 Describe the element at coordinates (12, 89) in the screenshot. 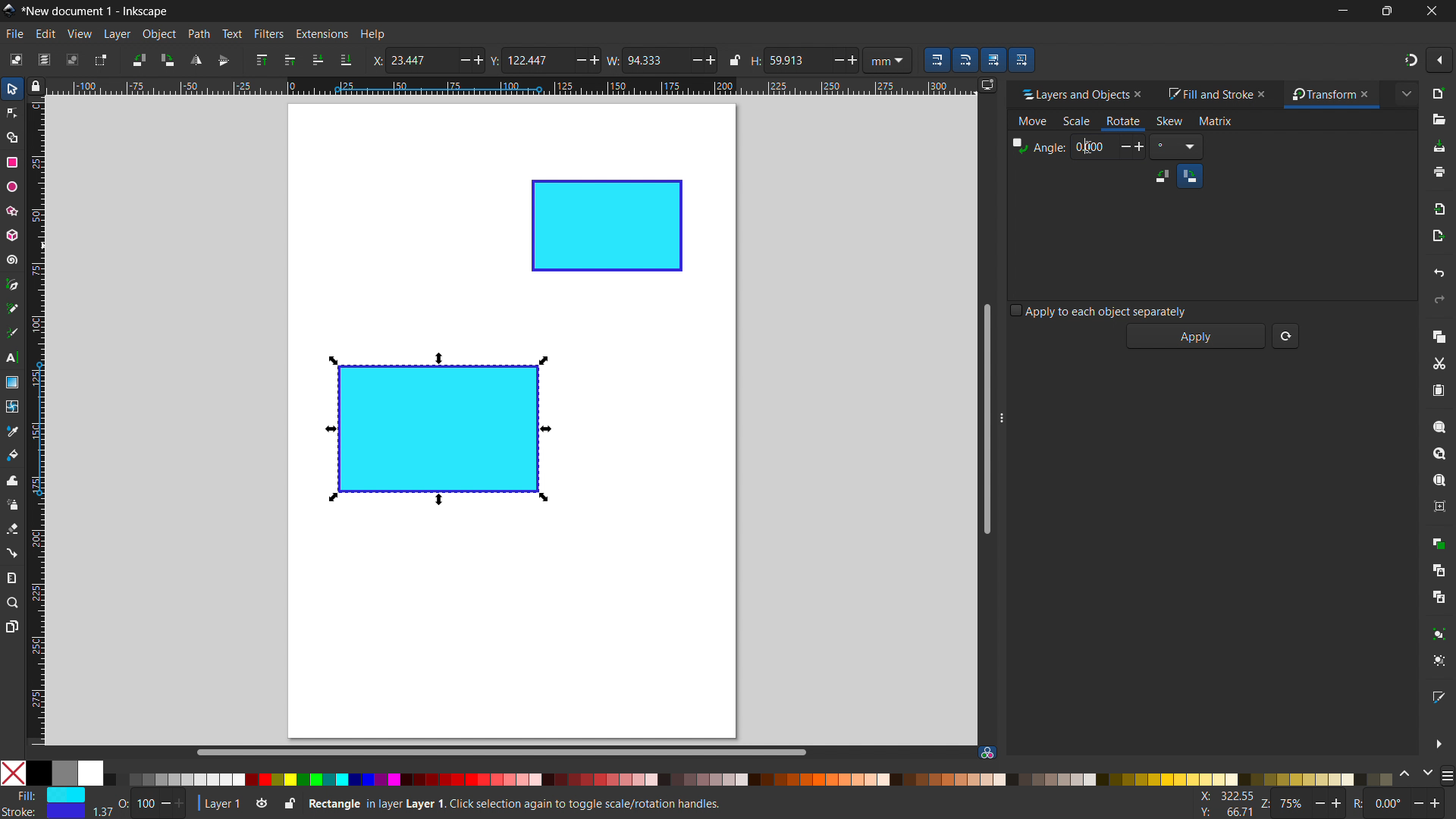

I see `selector tool` at that location.